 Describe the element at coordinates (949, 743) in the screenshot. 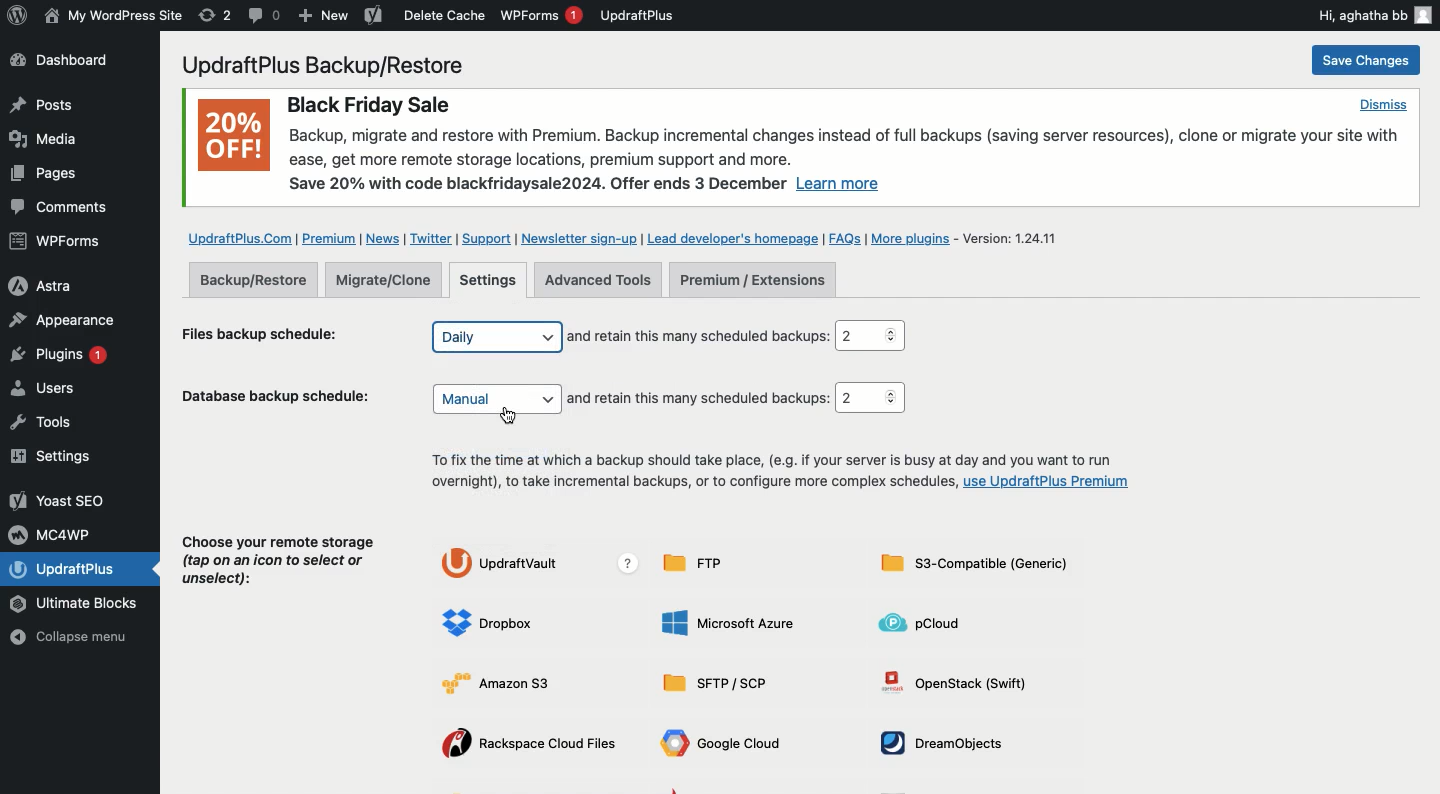

I see `DreamObjects` at that location.